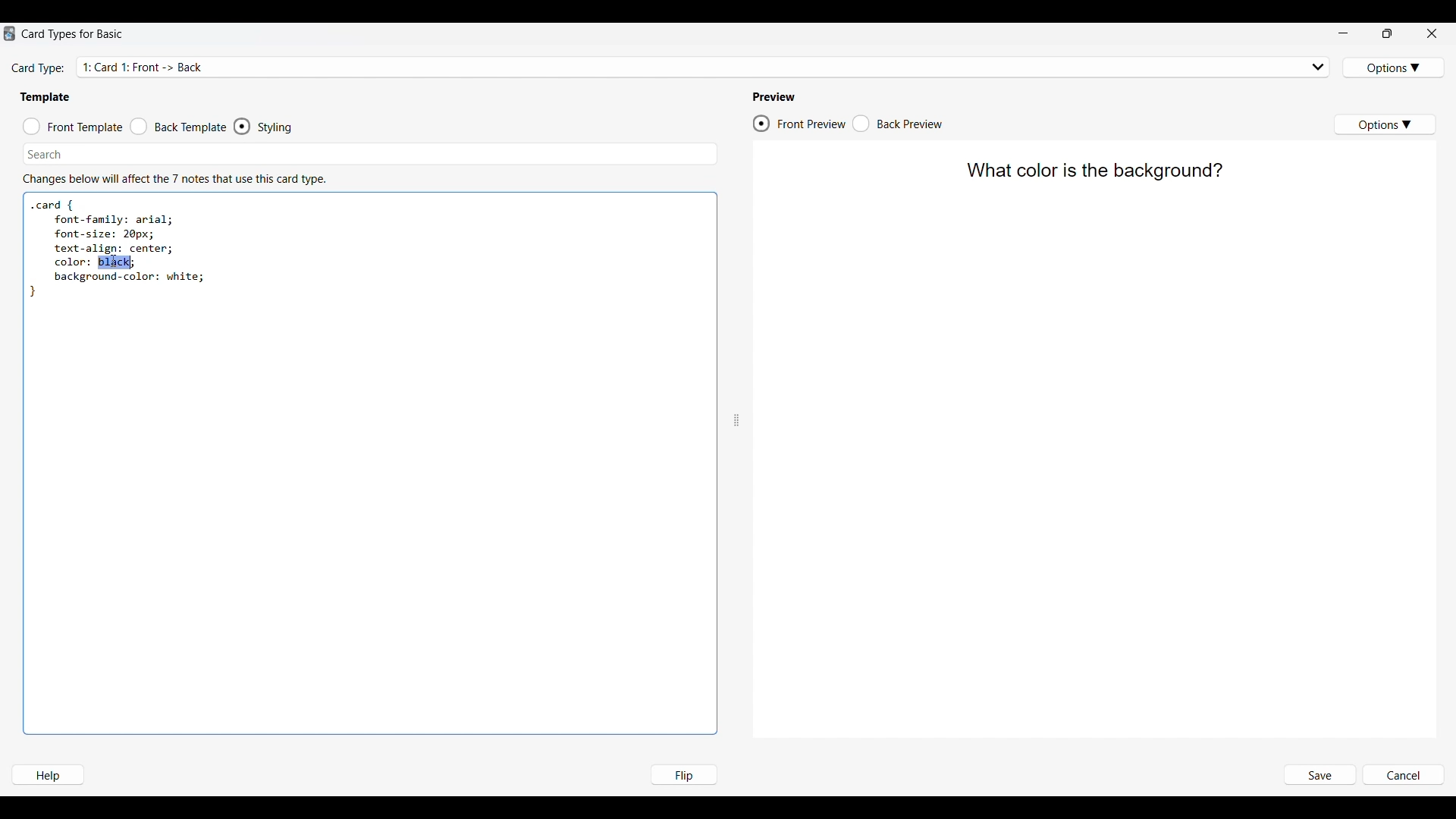 This screenshot has width=1456, height=819. What do you see at coordinates (1384, 124) in the screenshot?
I see `Preview options` at bounding box center [1384, 124].